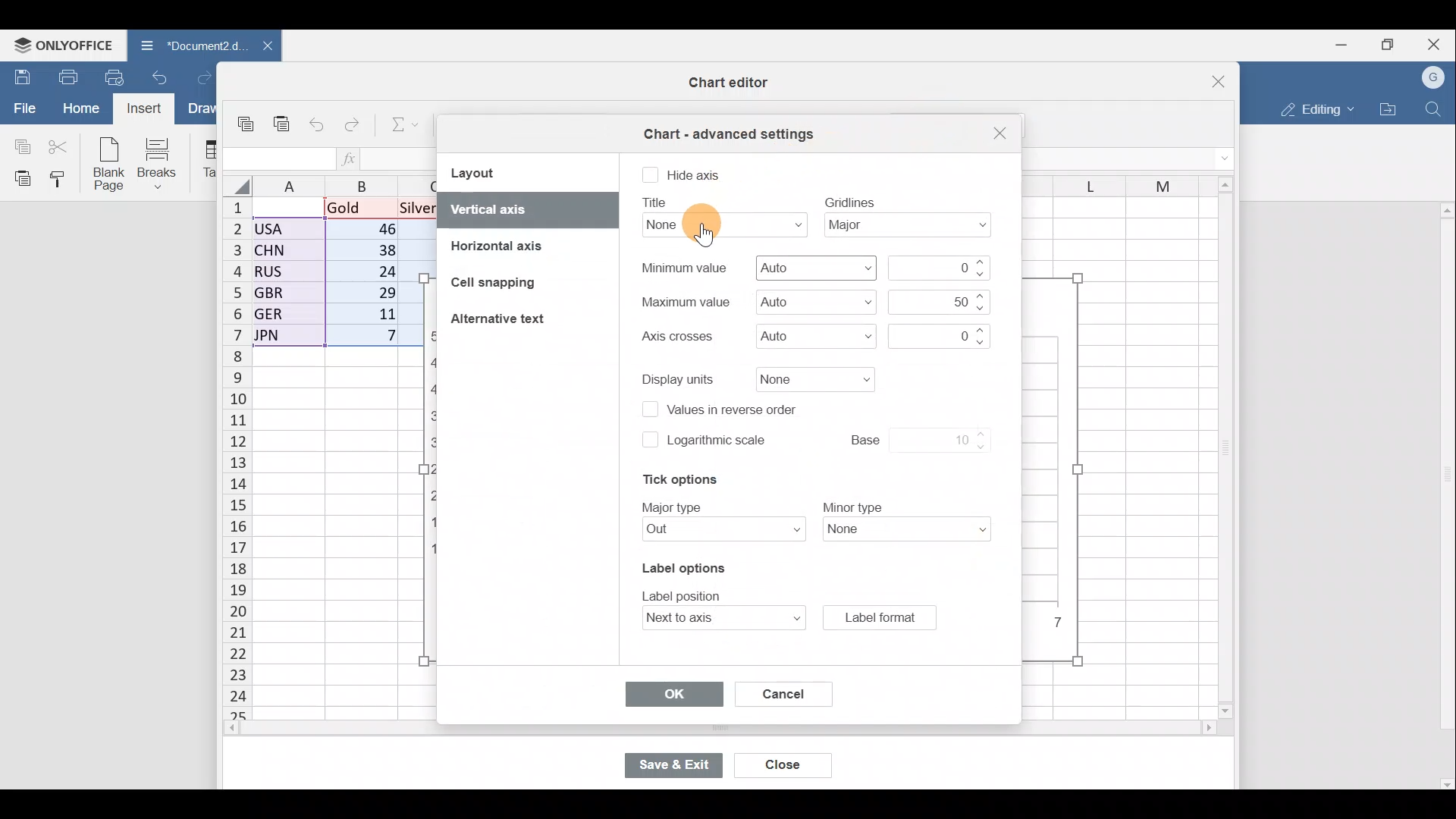  What do you see at coordinates (160, 76) in the screenshot?
I see `Undo` at bounding box center [160, 76].